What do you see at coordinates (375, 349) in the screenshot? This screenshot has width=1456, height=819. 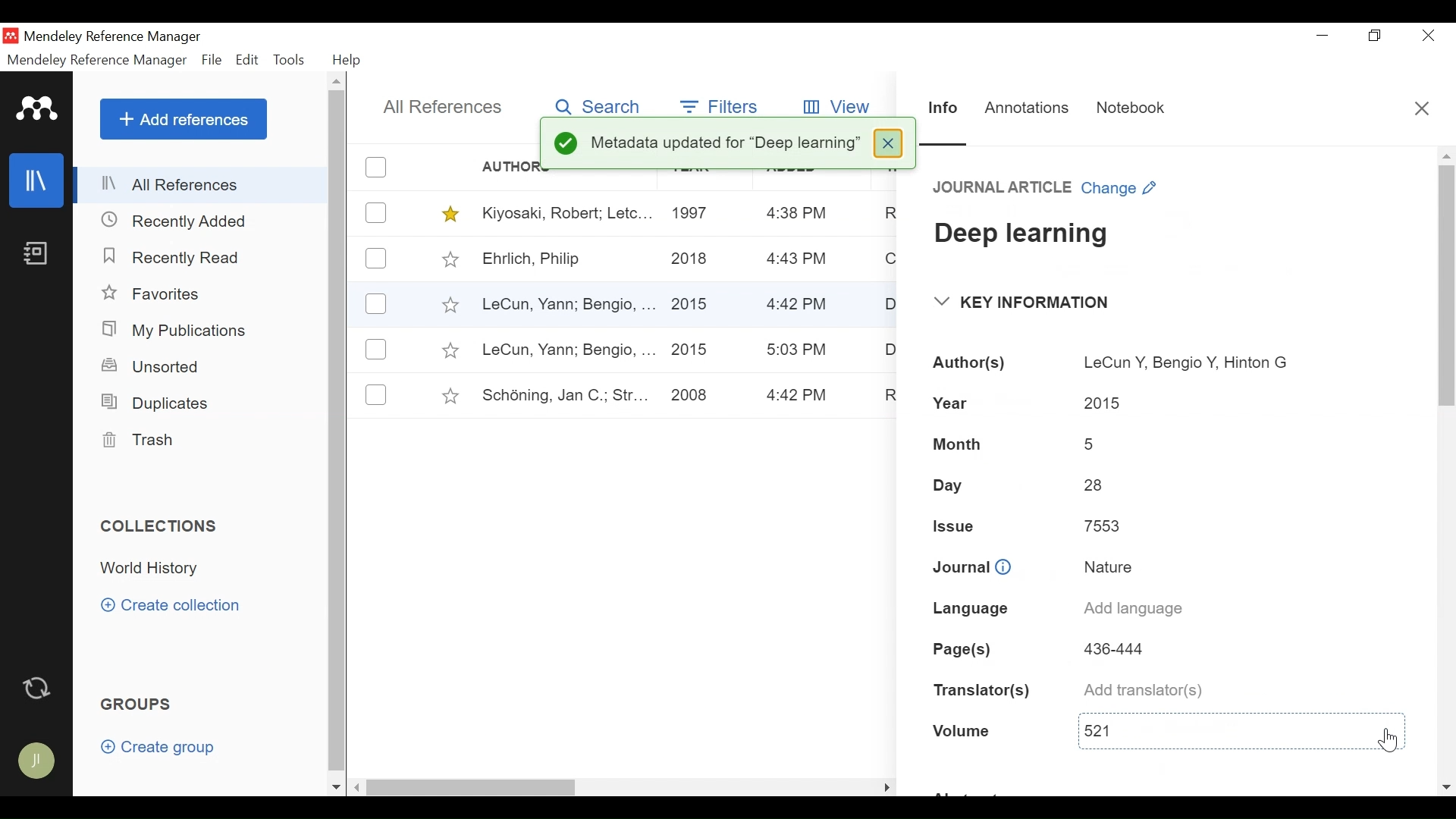 I see `(un)select` at bounding box center [375, 349].